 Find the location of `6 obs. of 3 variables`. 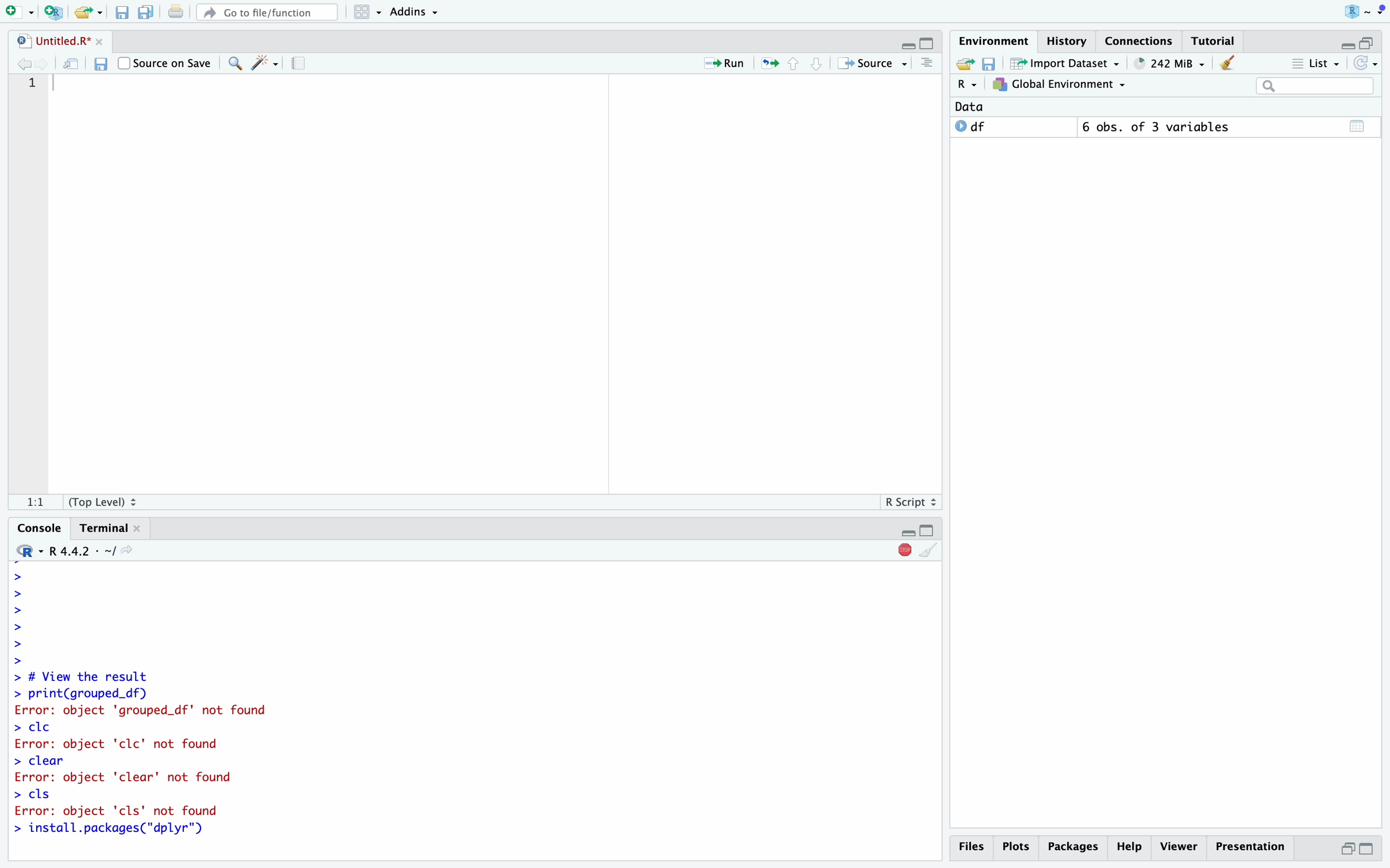

6 obs. of 3 variables is located at coordinates (1161, 126).